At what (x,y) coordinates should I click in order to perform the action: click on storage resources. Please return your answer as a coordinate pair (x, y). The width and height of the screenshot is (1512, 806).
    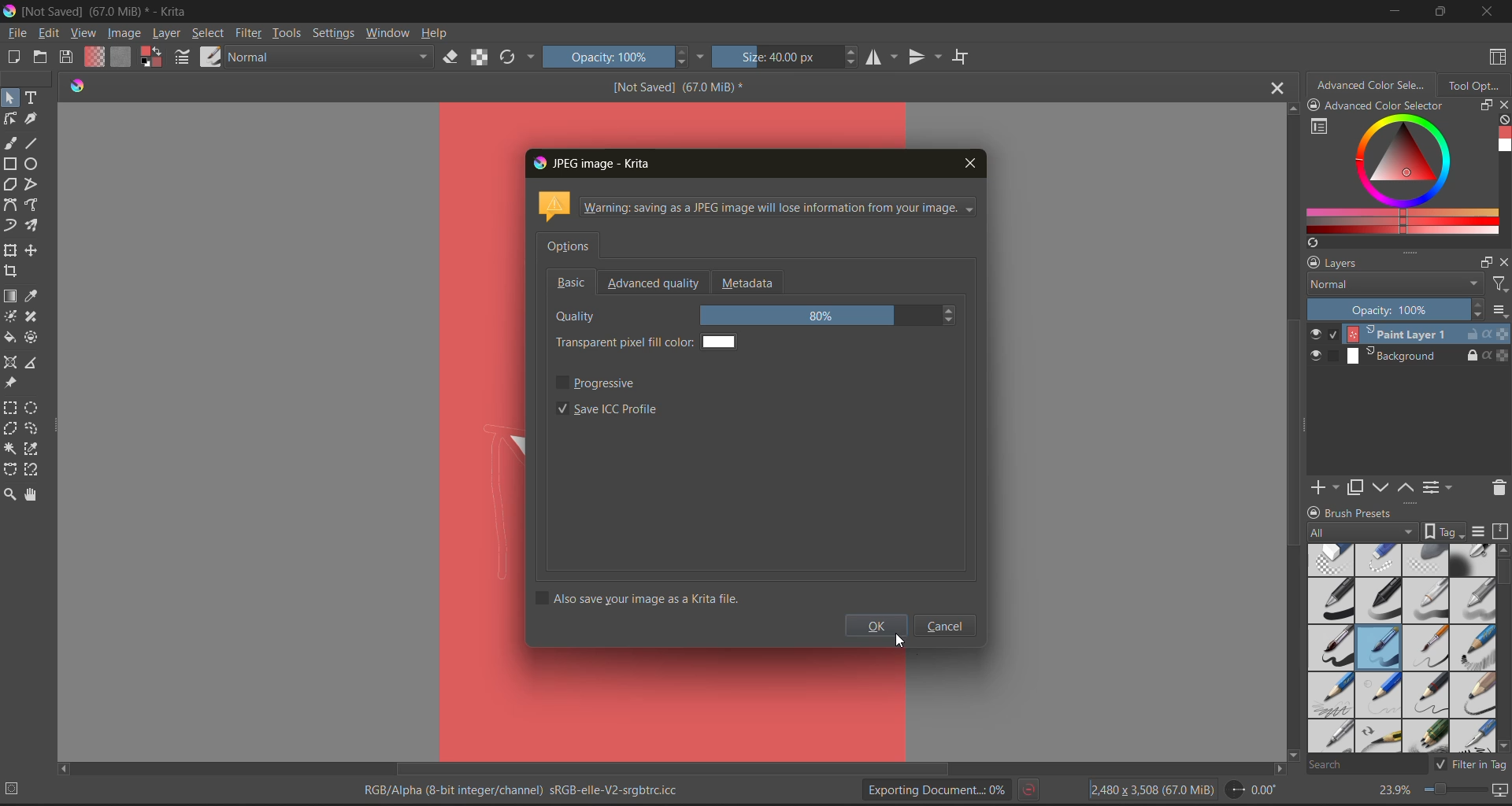
    Looking at the image, I should click on (1502, 532).